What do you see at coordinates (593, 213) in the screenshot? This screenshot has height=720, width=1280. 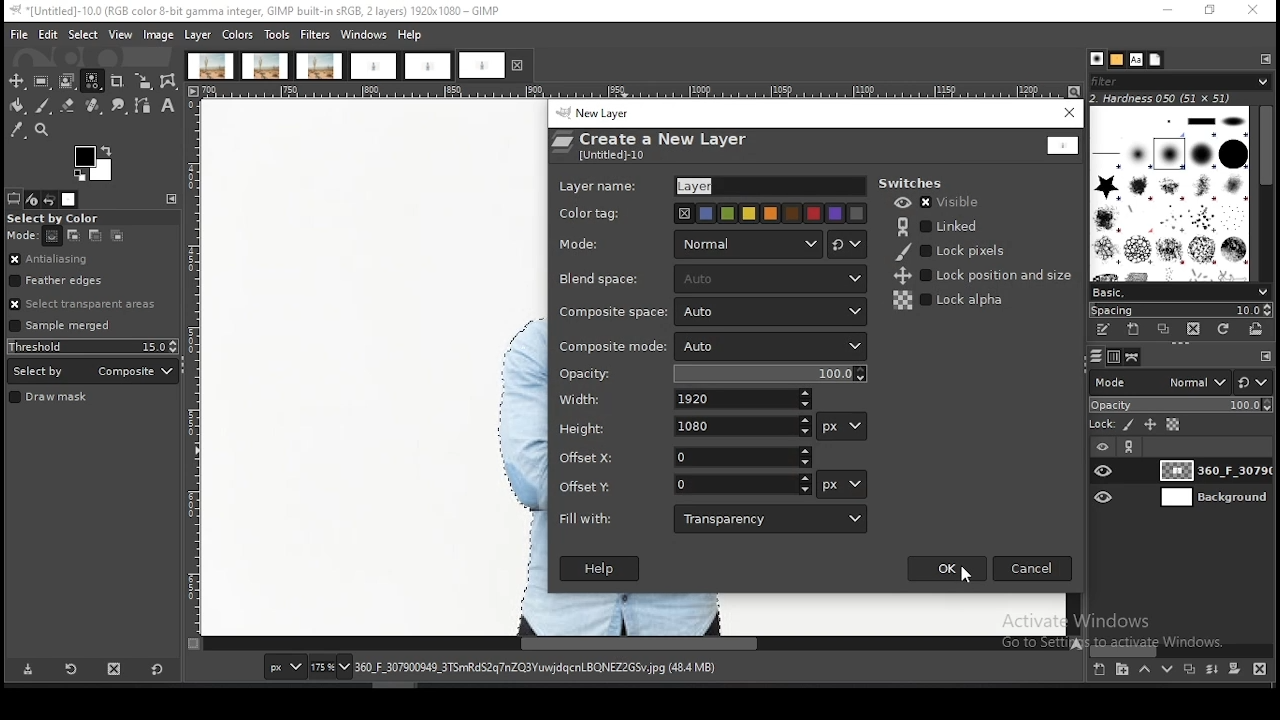 I see `color tag` at bounding box center [593, 213].